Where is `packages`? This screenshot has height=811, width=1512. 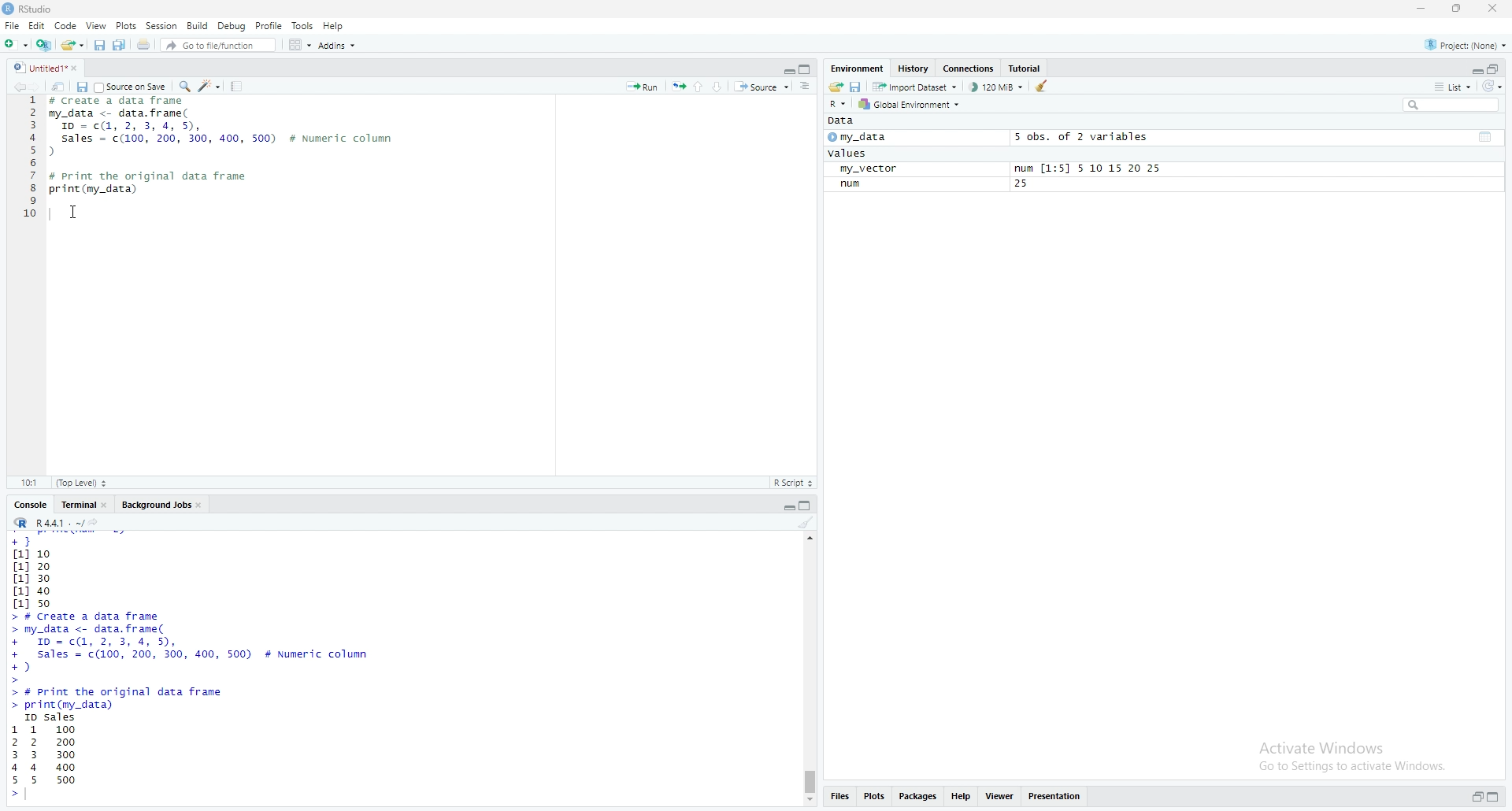 packages is located at coordinates (916, 799).